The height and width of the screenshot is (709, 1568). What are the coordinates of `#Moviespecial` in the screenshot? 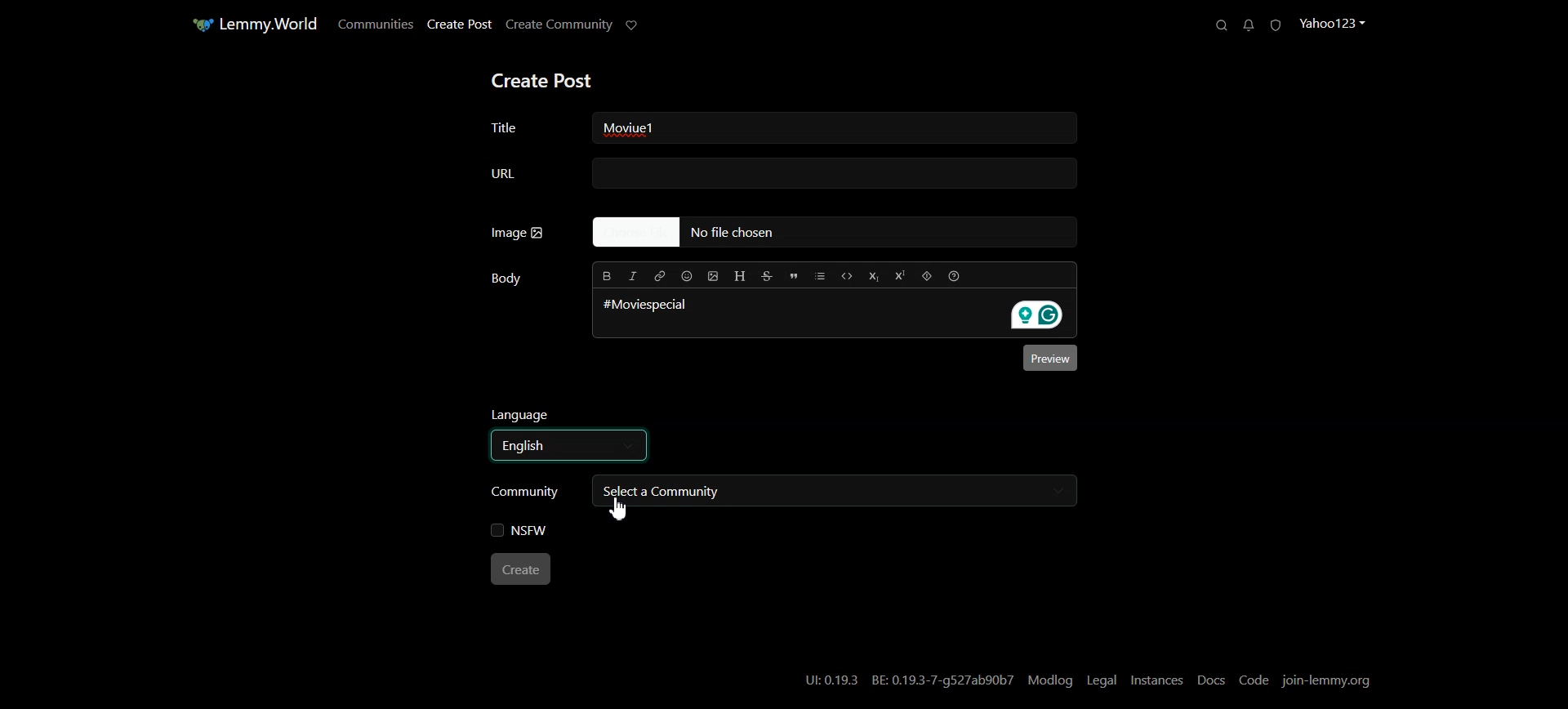 It's located at (662, 304).